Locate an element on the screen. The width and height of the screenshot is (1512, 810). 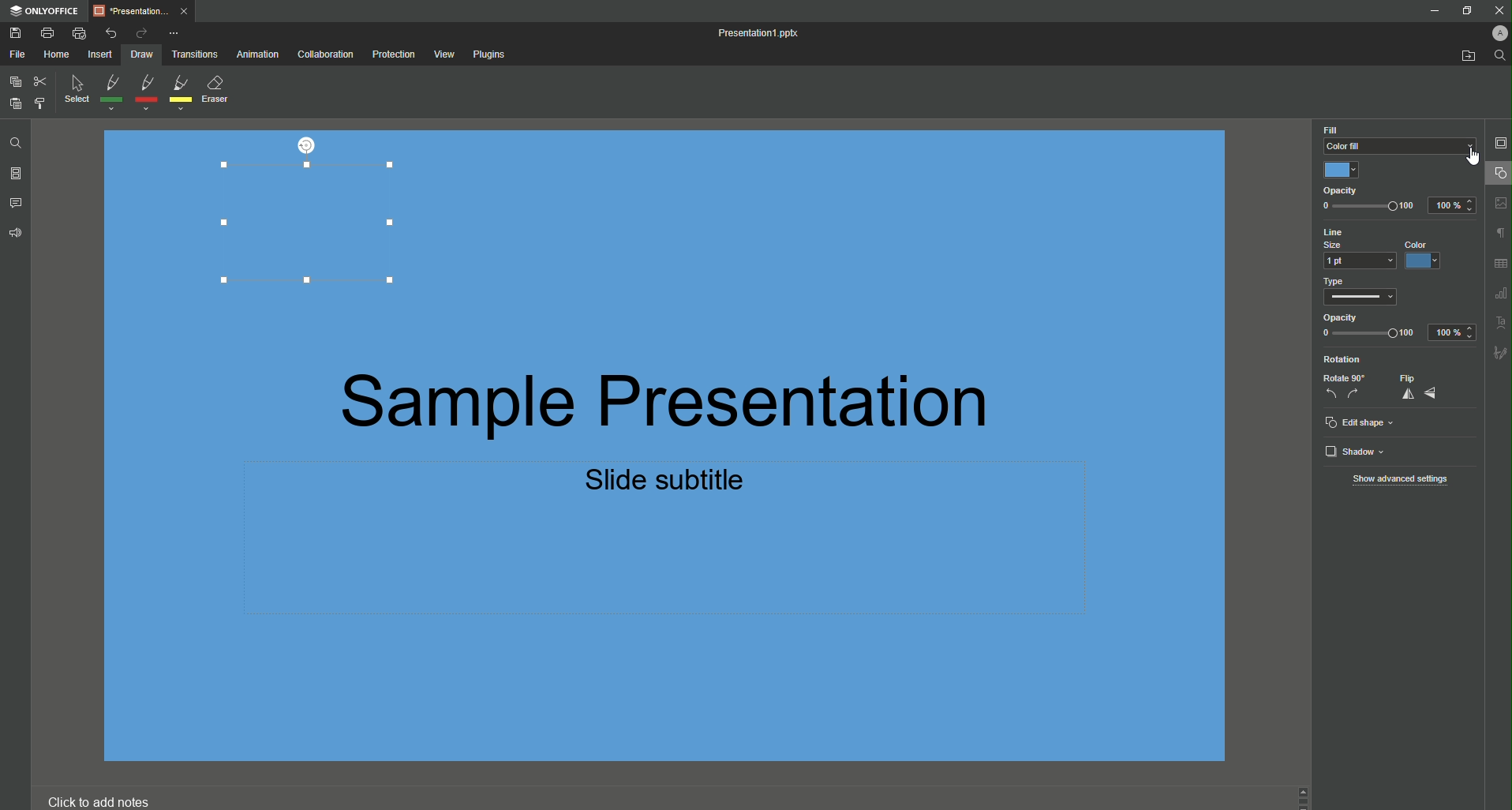
1 pt is located at coordinates (1359, 264).